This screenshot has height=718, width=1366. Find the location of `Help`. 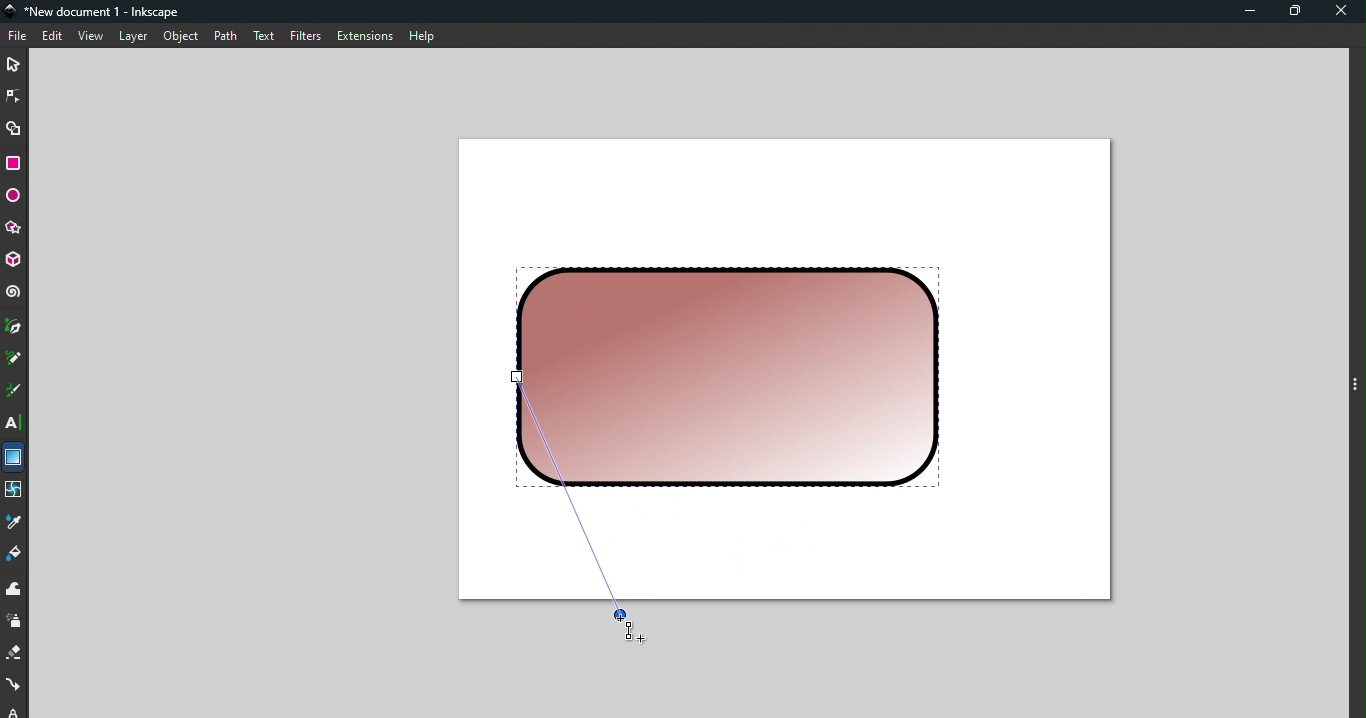

Help is located at coordinates (421, 33).